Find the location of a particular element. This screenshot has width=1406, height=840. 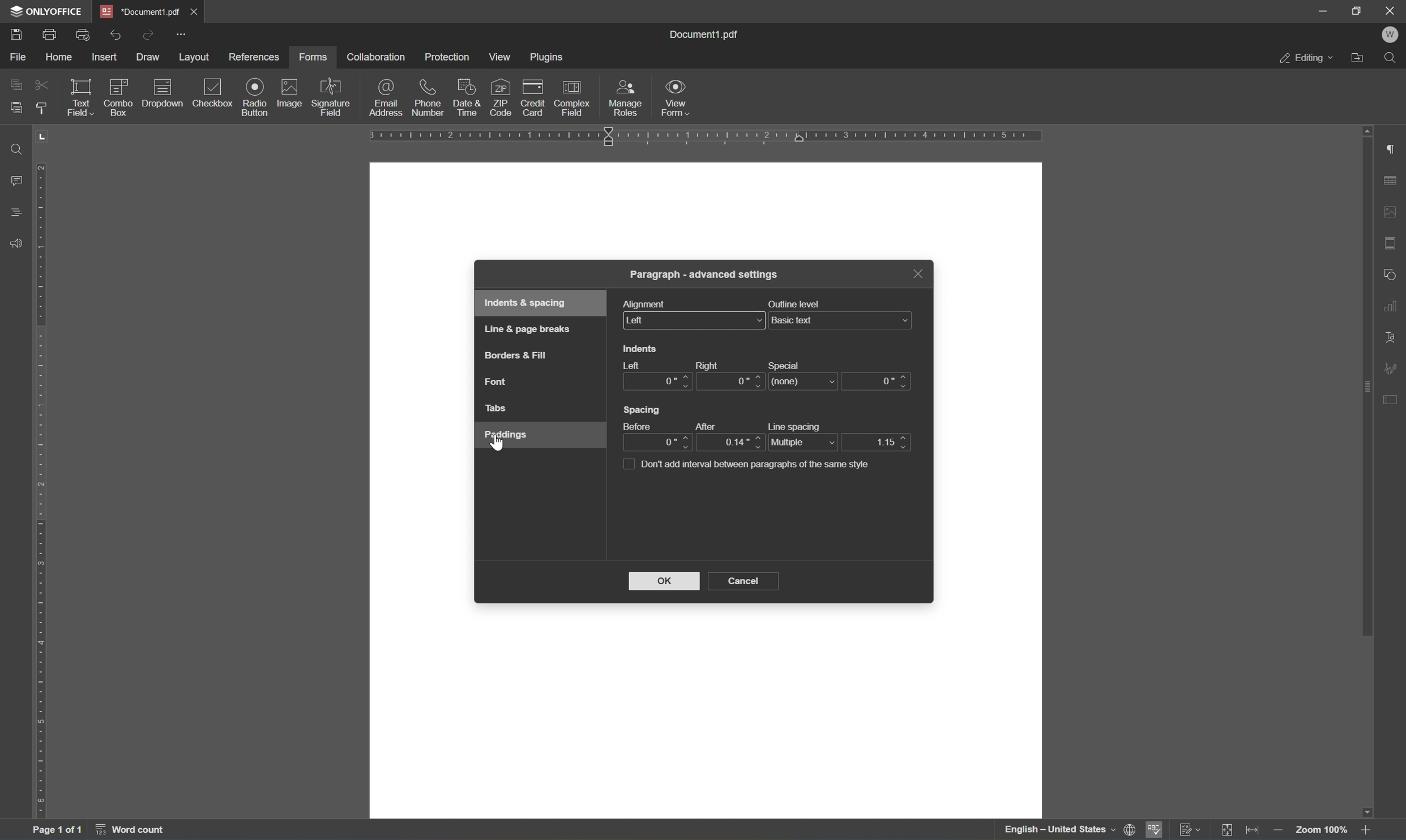

shape settings is located at coordinates (1390, 273).